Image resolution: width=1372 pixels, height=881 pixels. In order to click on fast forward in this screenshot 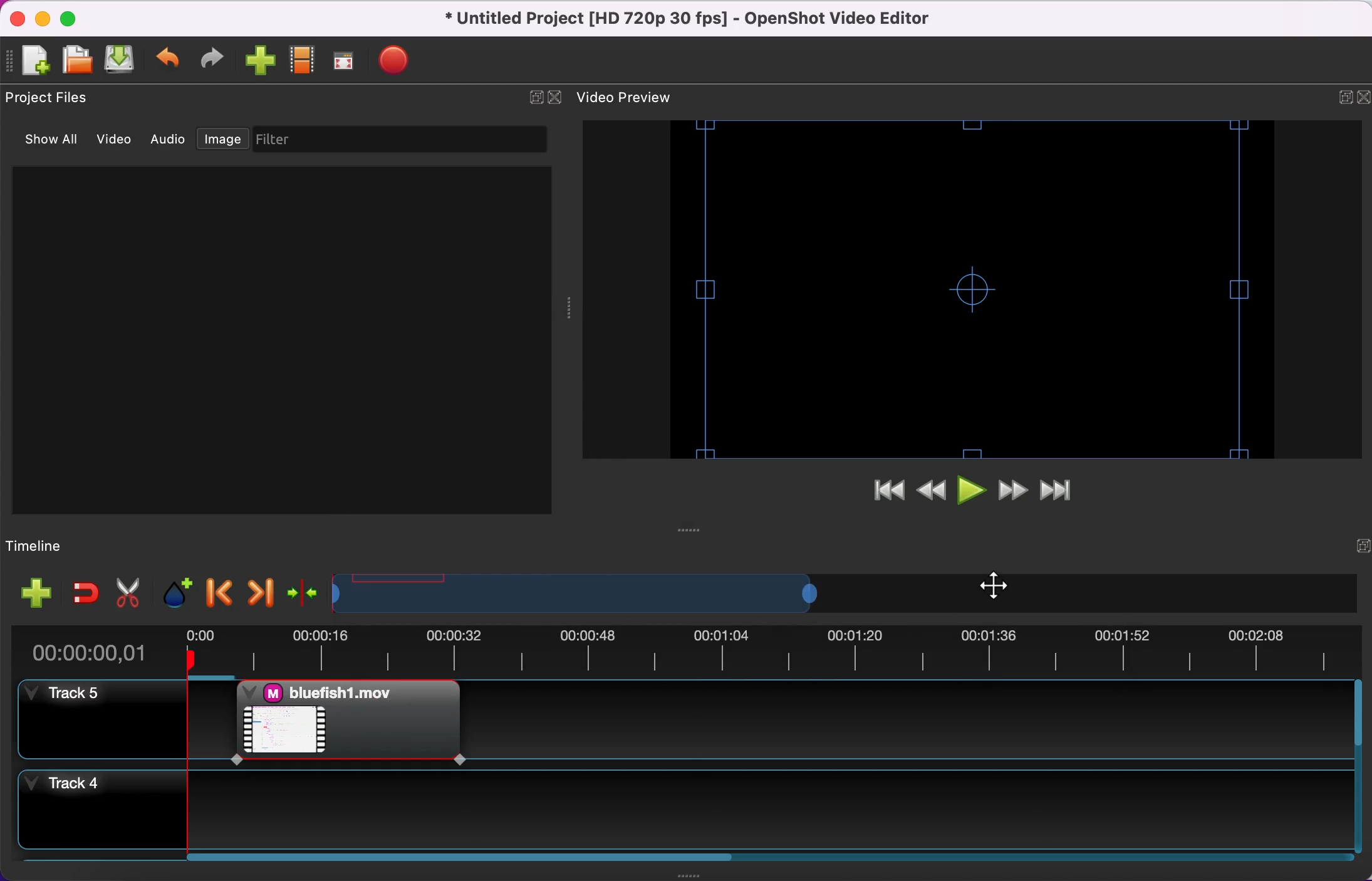, I will do `click(1014, 491)`.